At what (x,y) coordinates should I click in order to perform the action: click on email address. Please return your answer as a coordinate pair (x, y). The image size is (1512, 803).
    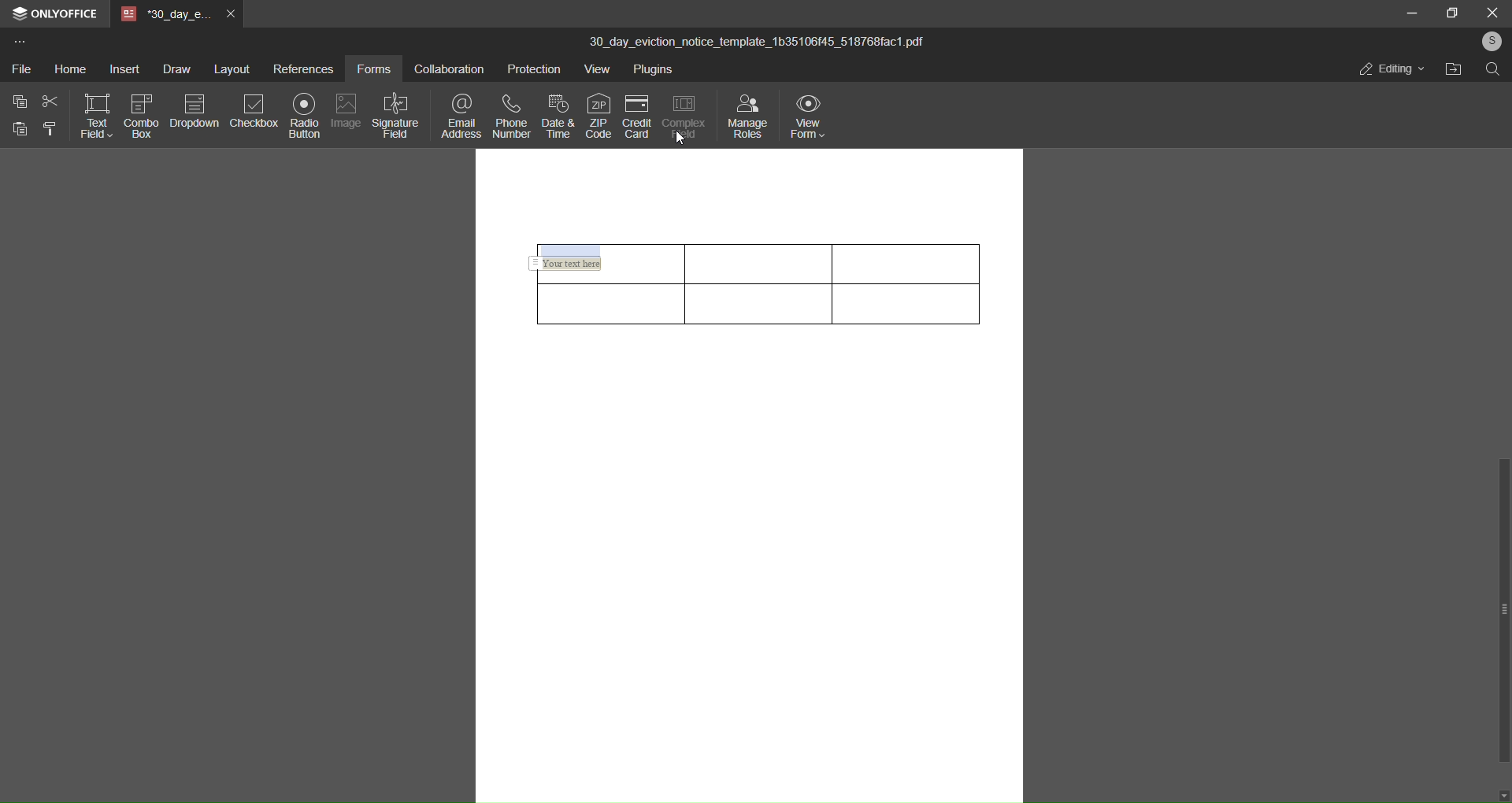
    Looking at the image, I should click on (458, 113).